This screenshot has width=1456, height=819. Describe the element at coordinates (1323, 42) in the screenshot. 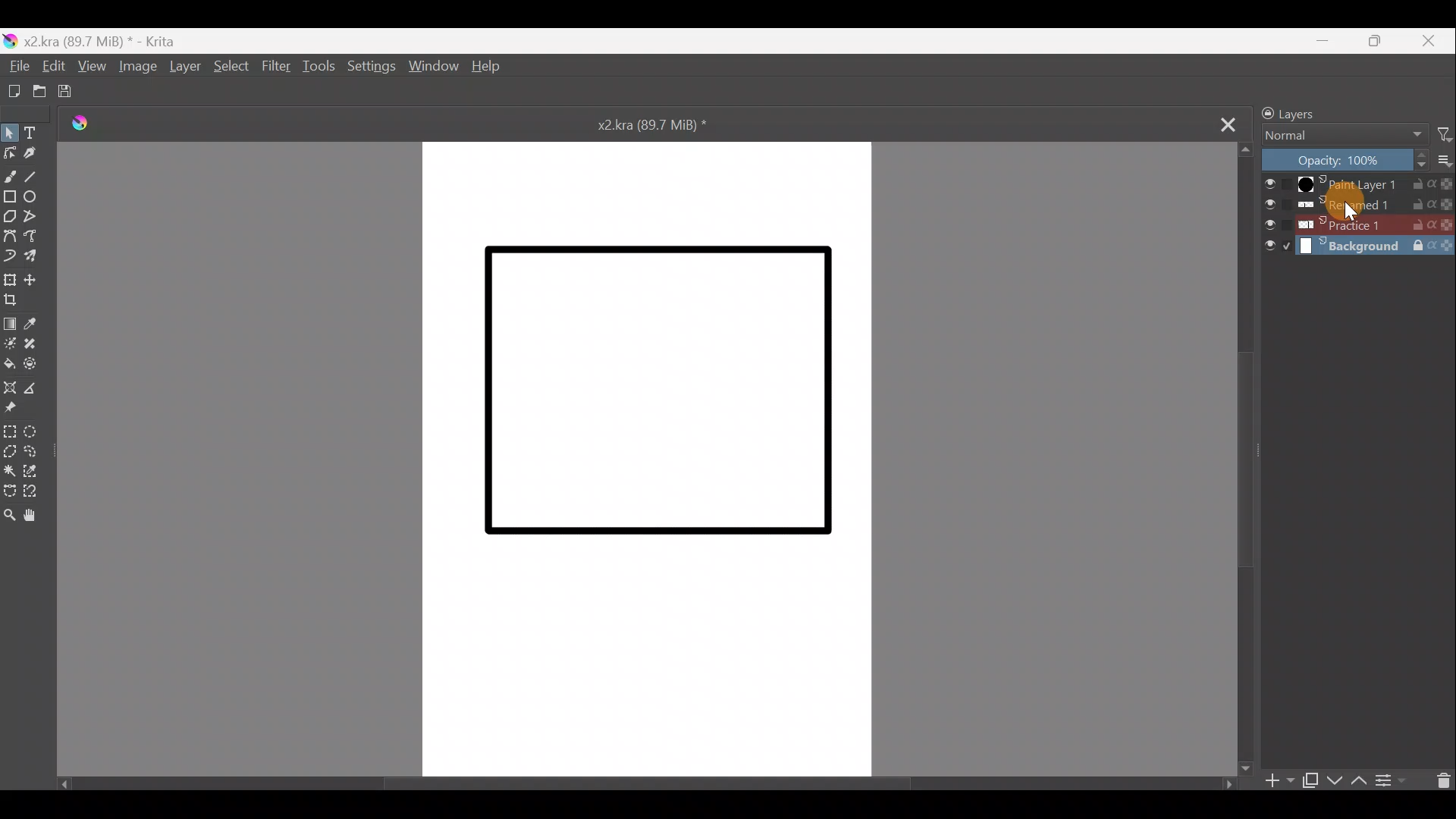

I see `Minimize` at that location.